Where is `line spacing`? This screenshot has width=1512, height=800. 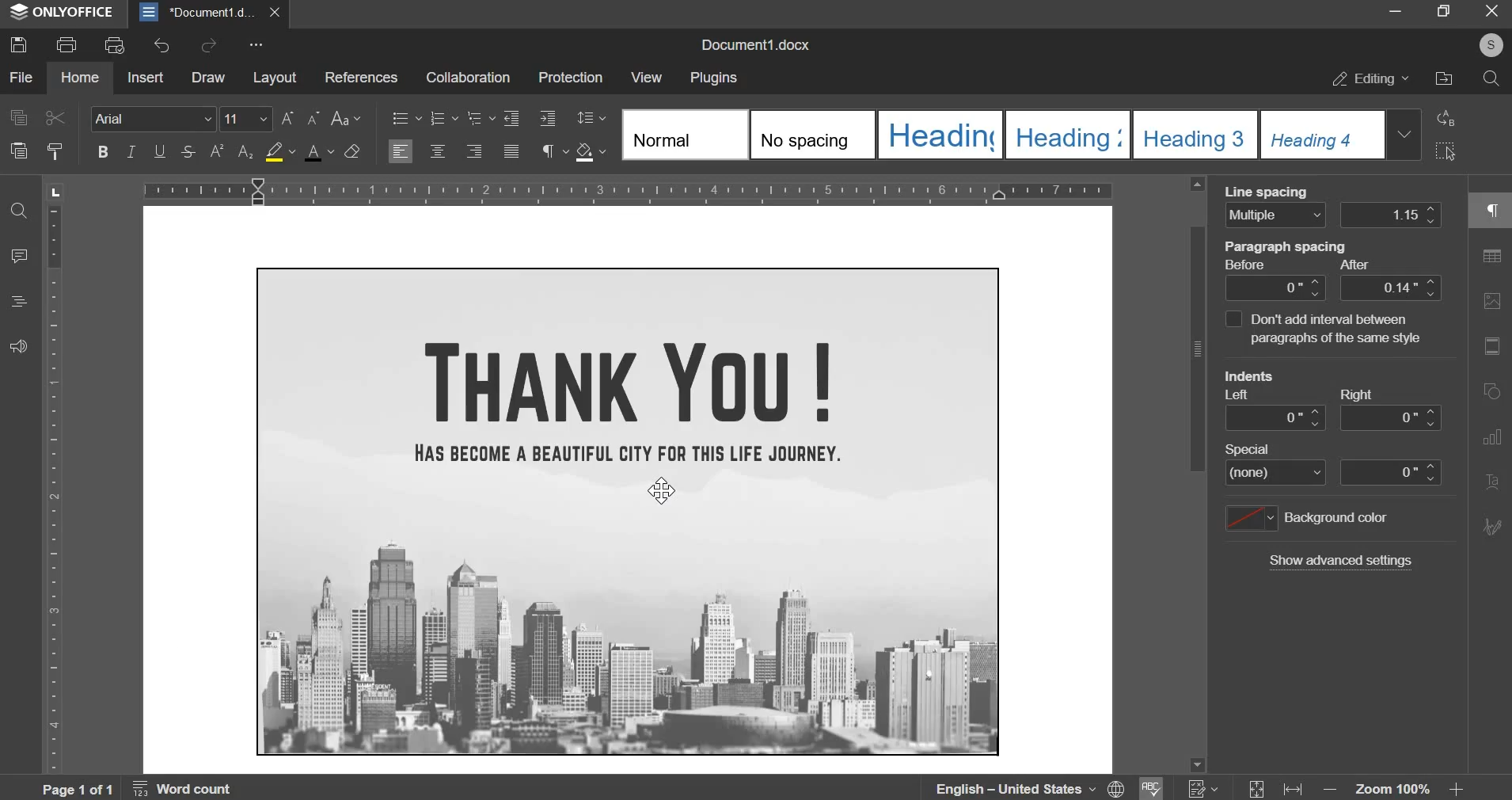 line spacing is located at coordinates (593, 117).